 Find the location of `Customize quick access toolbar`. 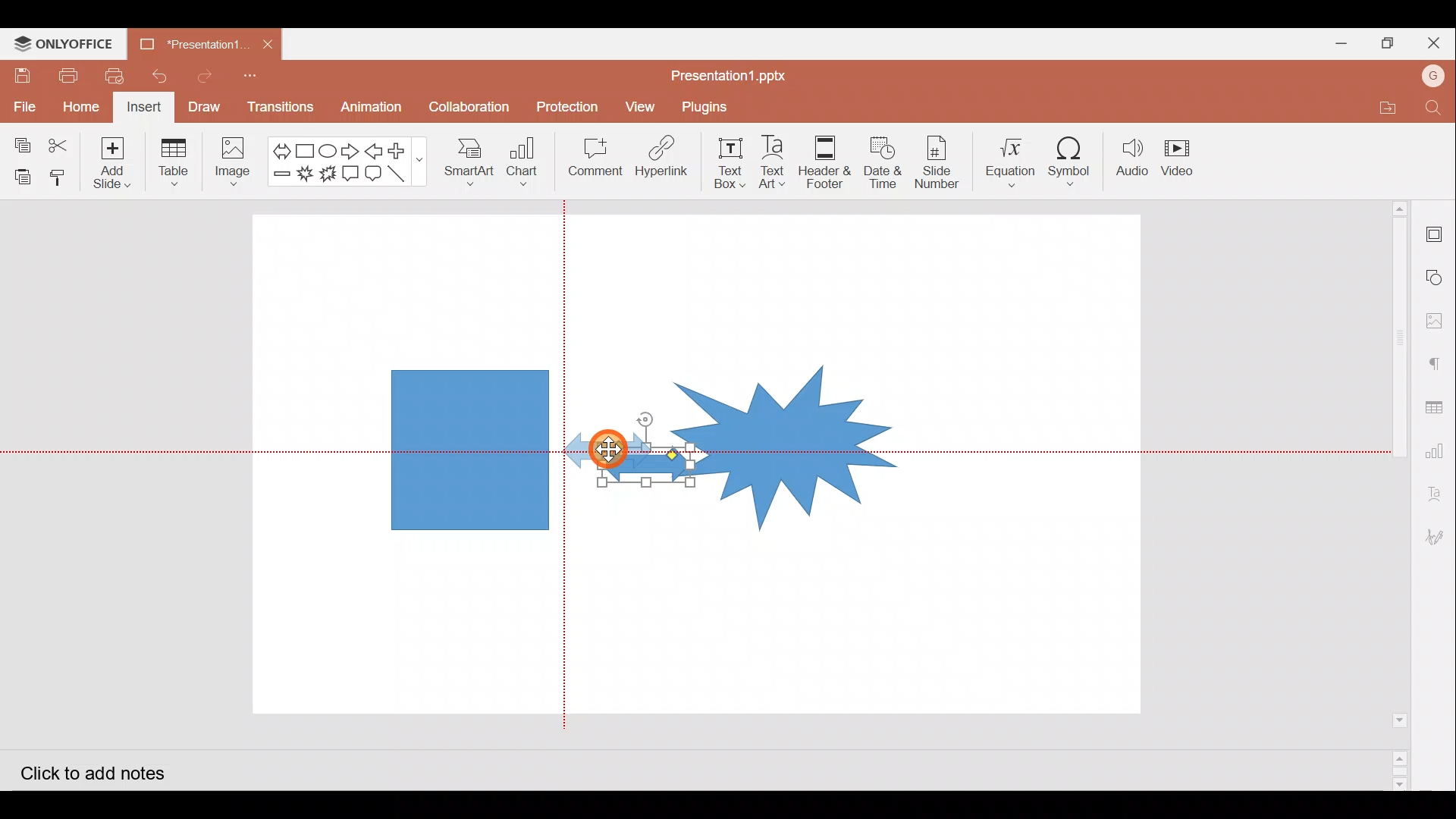

Customize quick access toolbar is located at coordinates (259, 77).